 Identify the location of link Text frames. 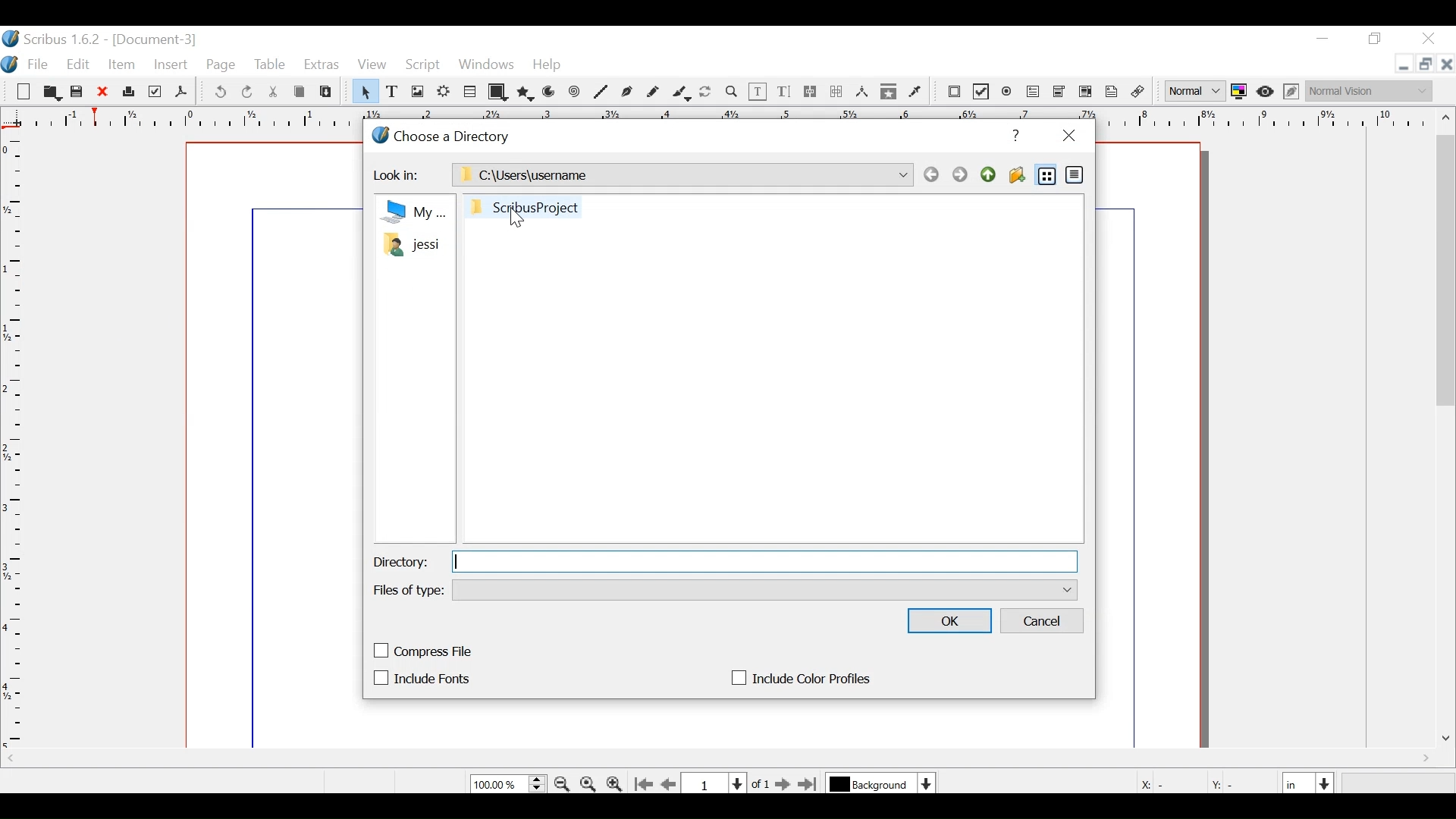
(811, 93).